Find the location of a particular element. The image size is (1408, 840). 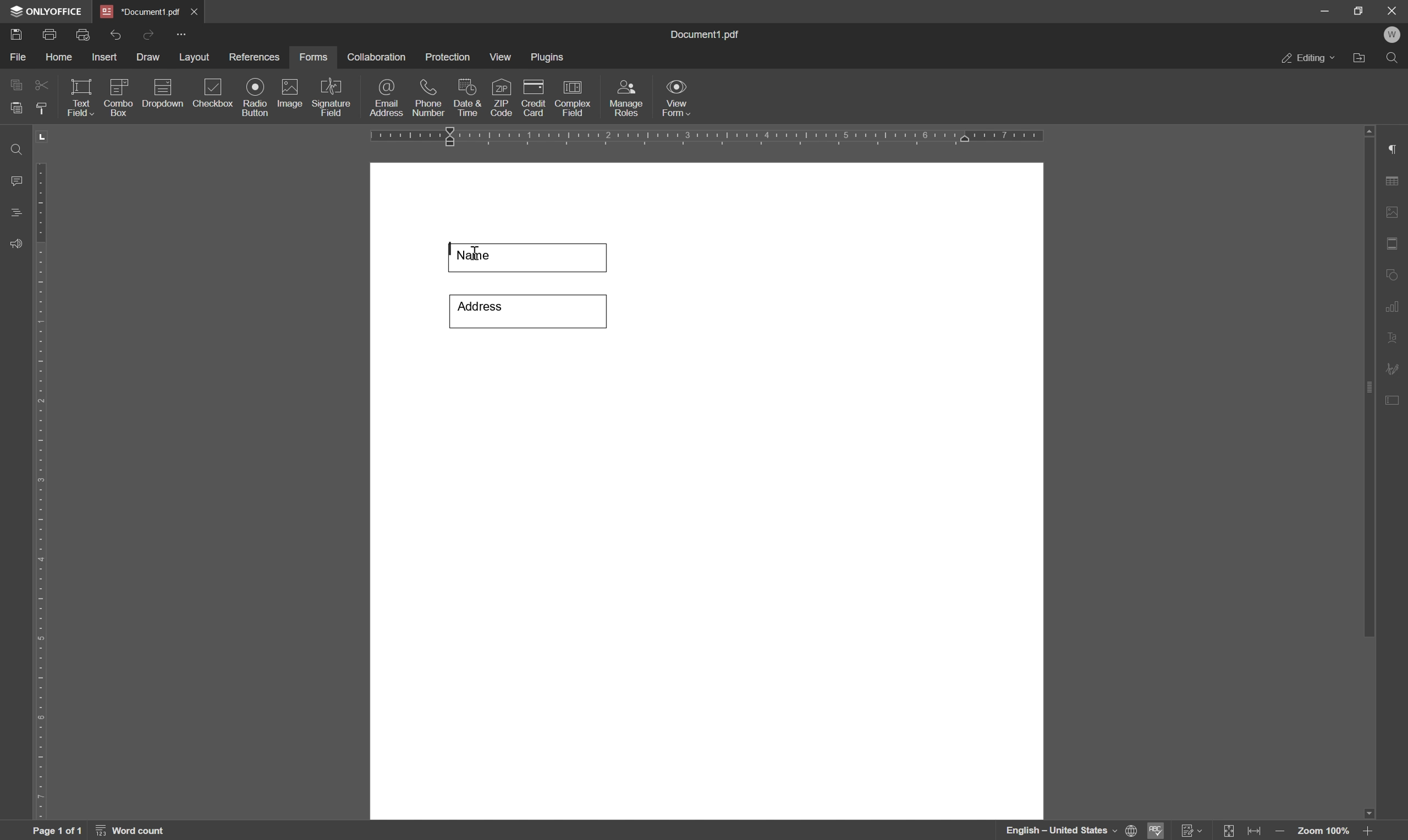

form settings is located at coordinates (1394, 398).